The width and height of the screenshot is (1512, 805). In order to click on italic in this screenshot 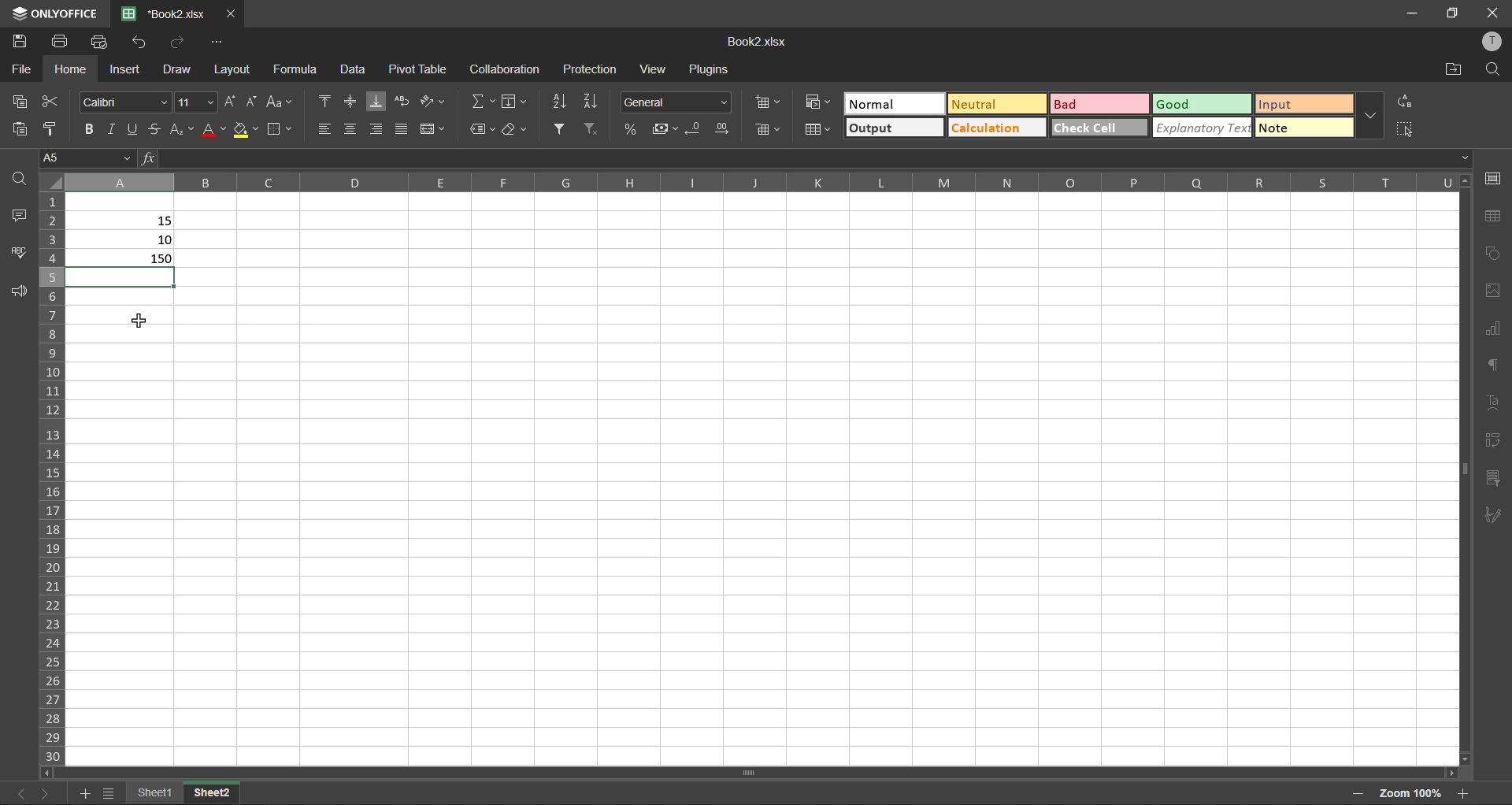, I will do `click(113, 127)`.